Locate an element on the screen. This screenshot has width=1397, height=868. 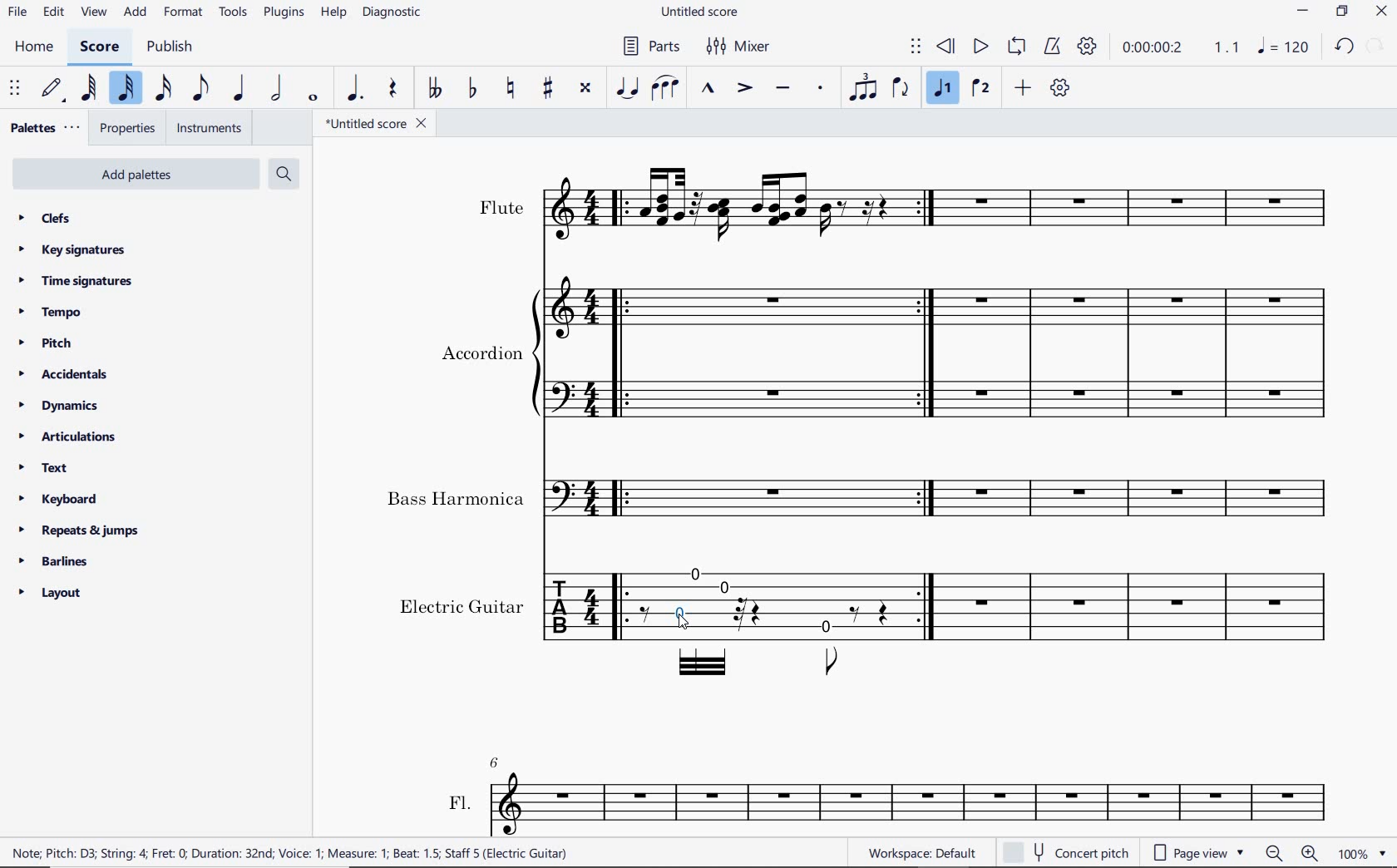
workspace default is located at coordinates (923, 852).